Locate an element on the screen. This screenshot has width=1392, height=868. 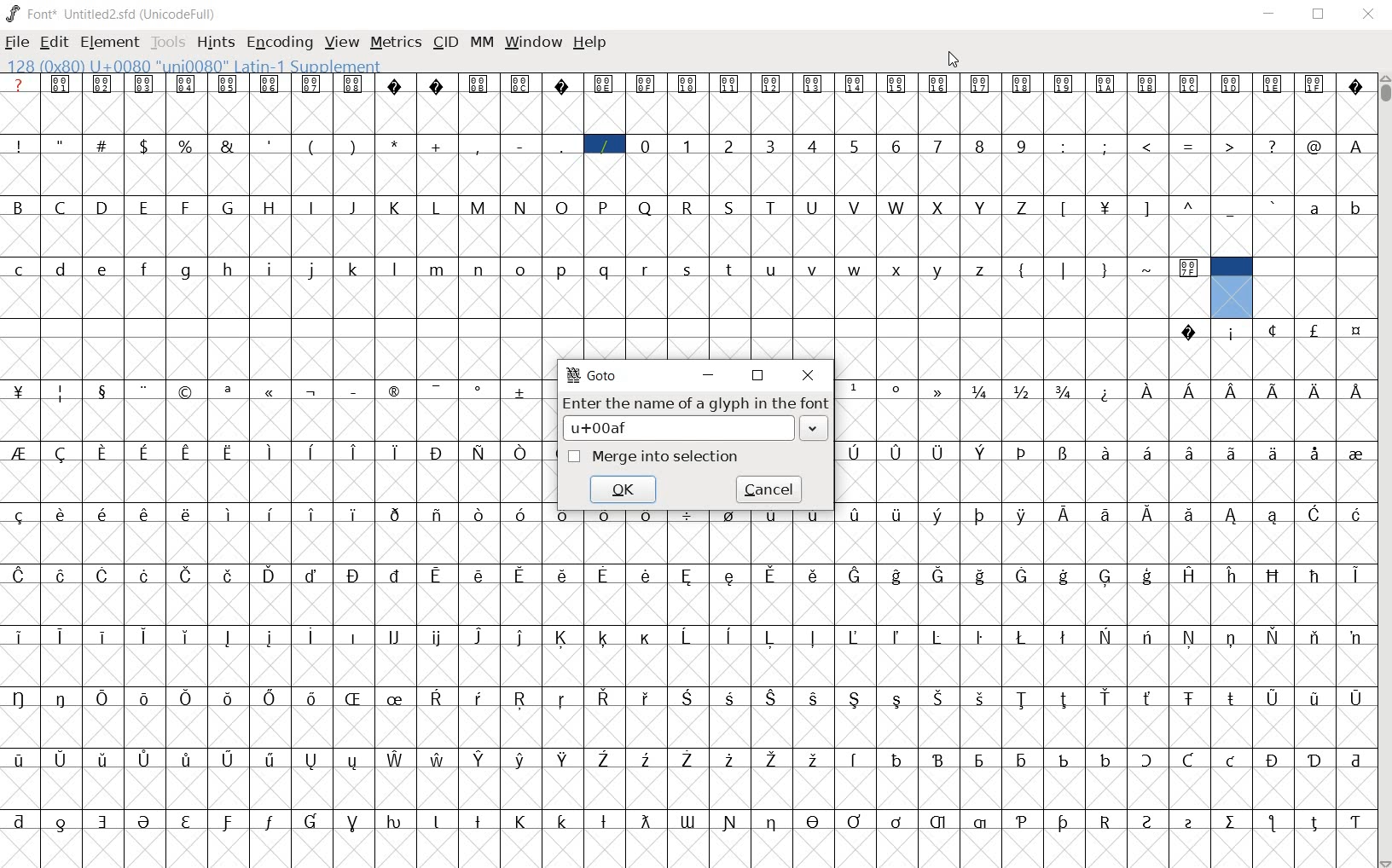
Symbol is located at coordinates (439, 391).